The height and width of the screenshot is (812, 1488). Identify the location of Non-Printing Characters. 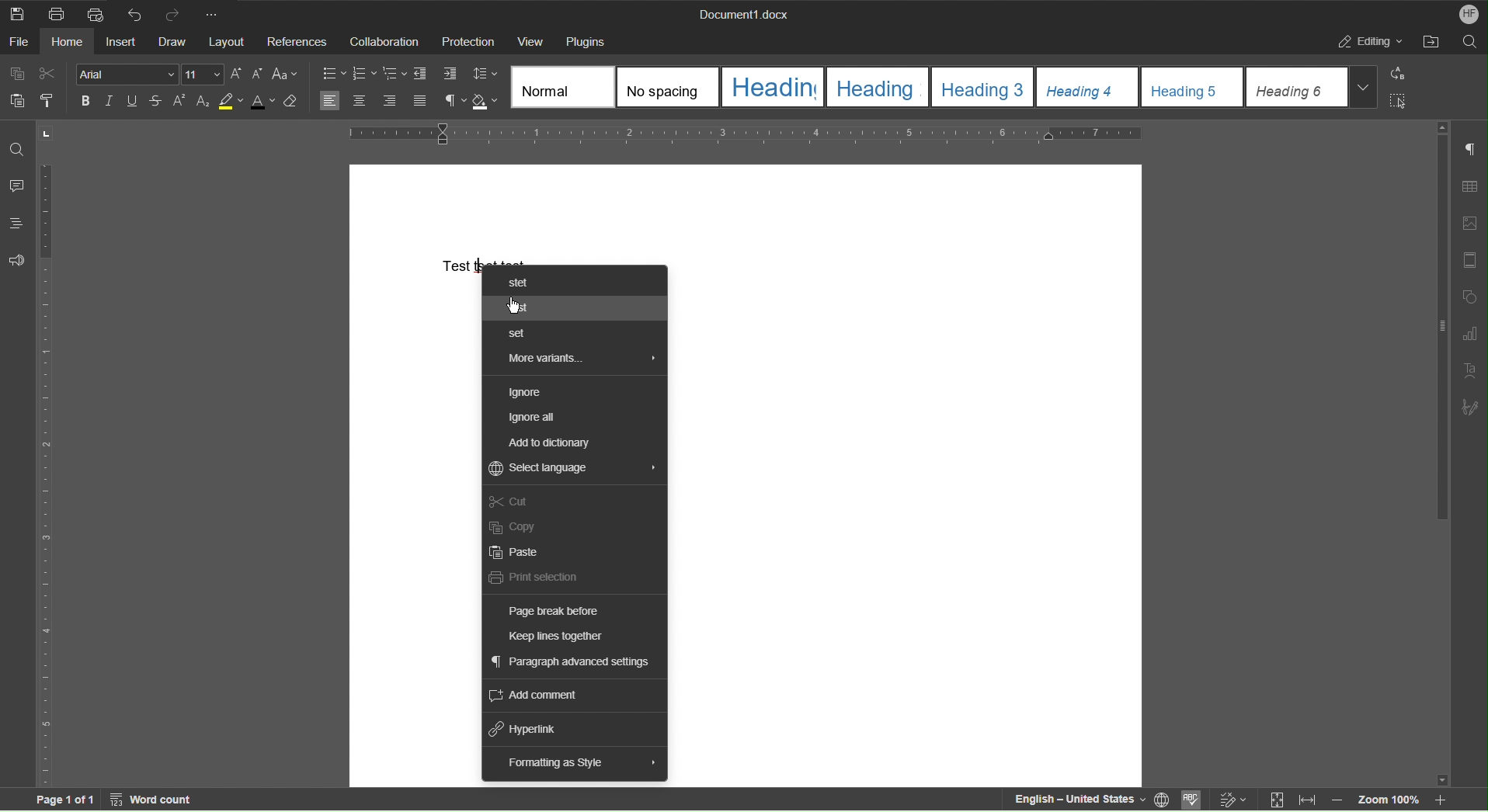
(454, 102).